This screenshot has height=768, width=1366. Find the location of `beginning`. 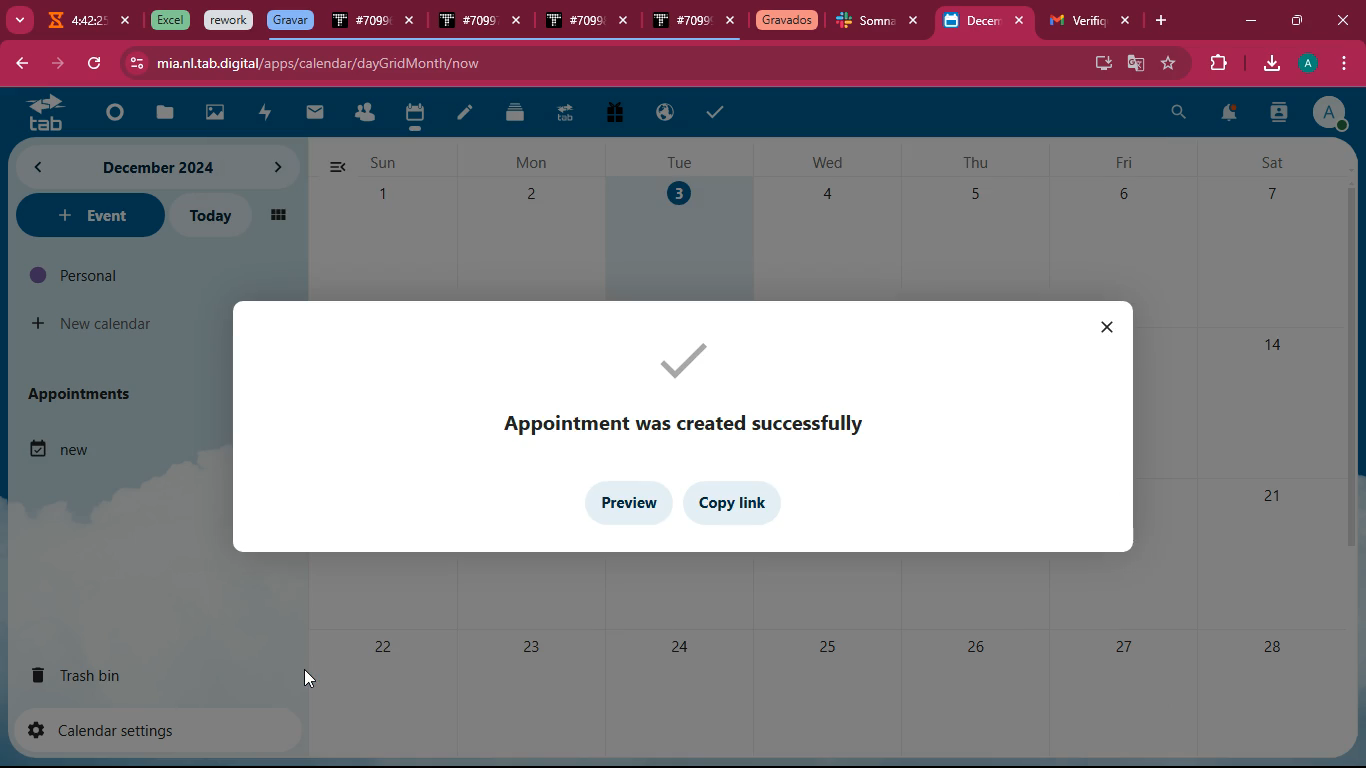

beginning is located at coordinates (110, 114).